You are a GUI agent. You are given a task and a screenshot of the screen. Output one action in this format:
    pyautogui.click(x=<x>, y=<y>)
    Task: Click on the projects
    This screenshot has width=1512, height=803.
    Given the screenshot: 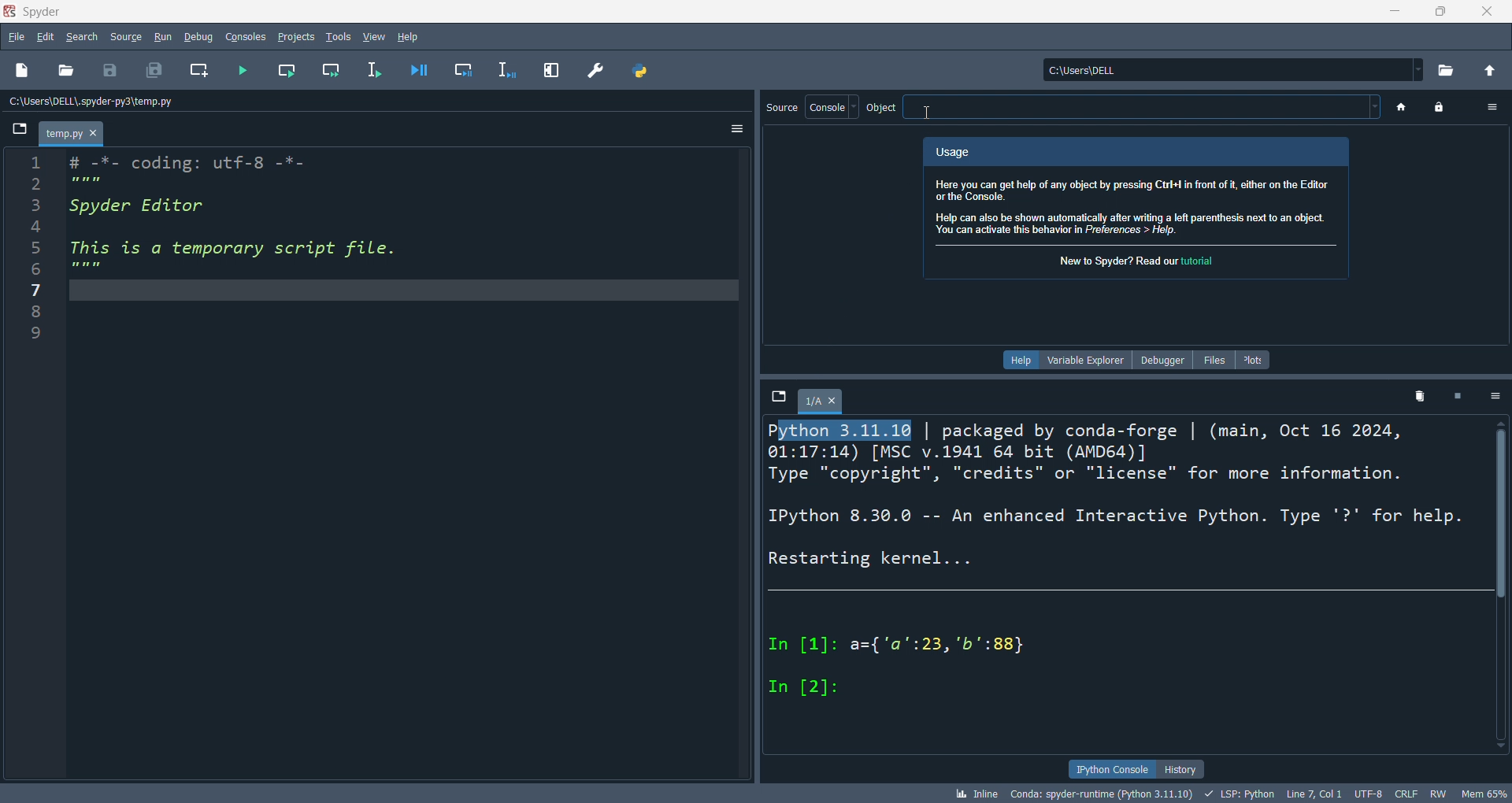 What is the action you would take?
    pyautogui.click(x=291, y=33)
    